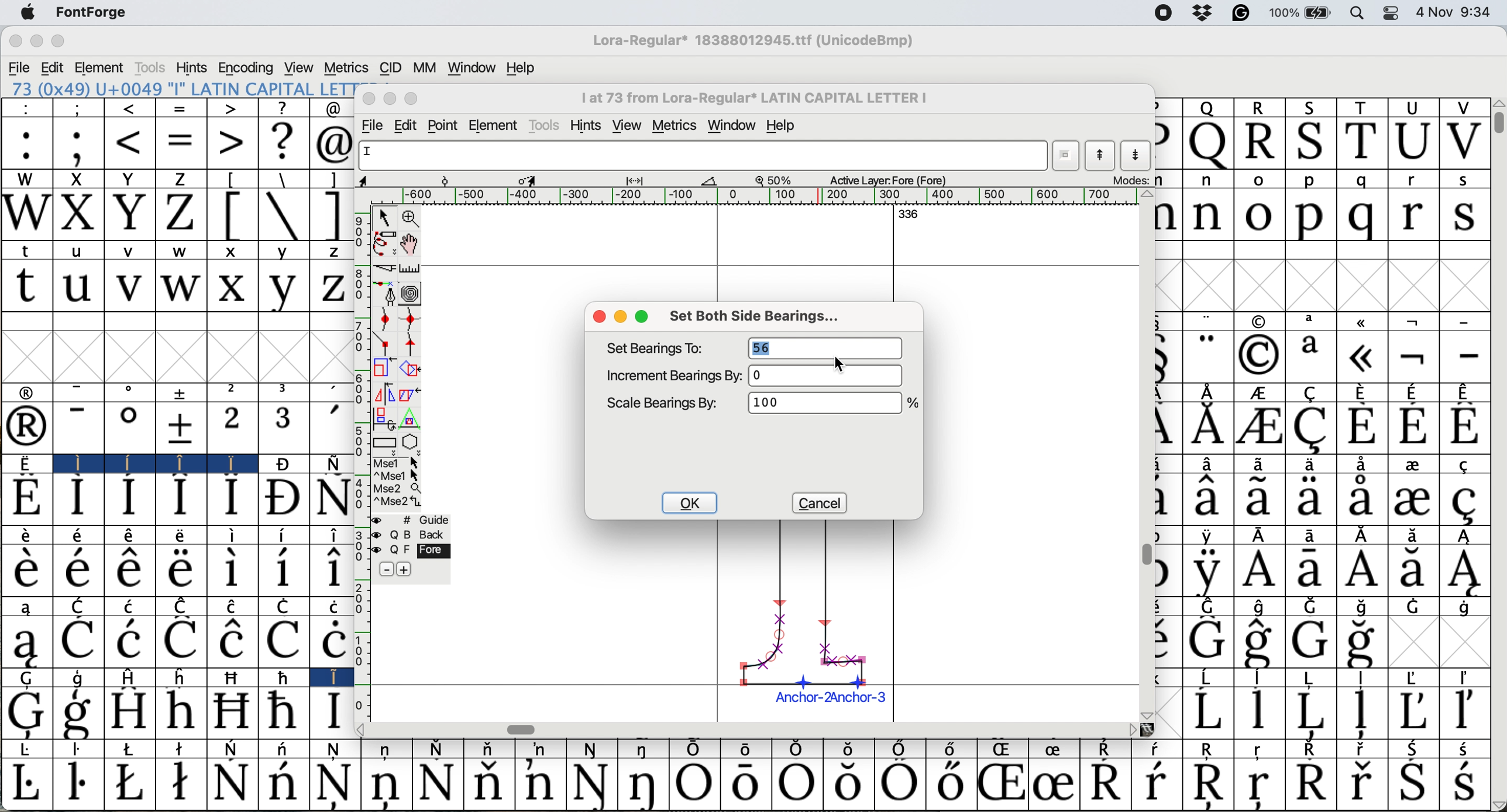  Describe the element at coordinates (181, 499) in the screenshot. I see `Symbol` at that location.